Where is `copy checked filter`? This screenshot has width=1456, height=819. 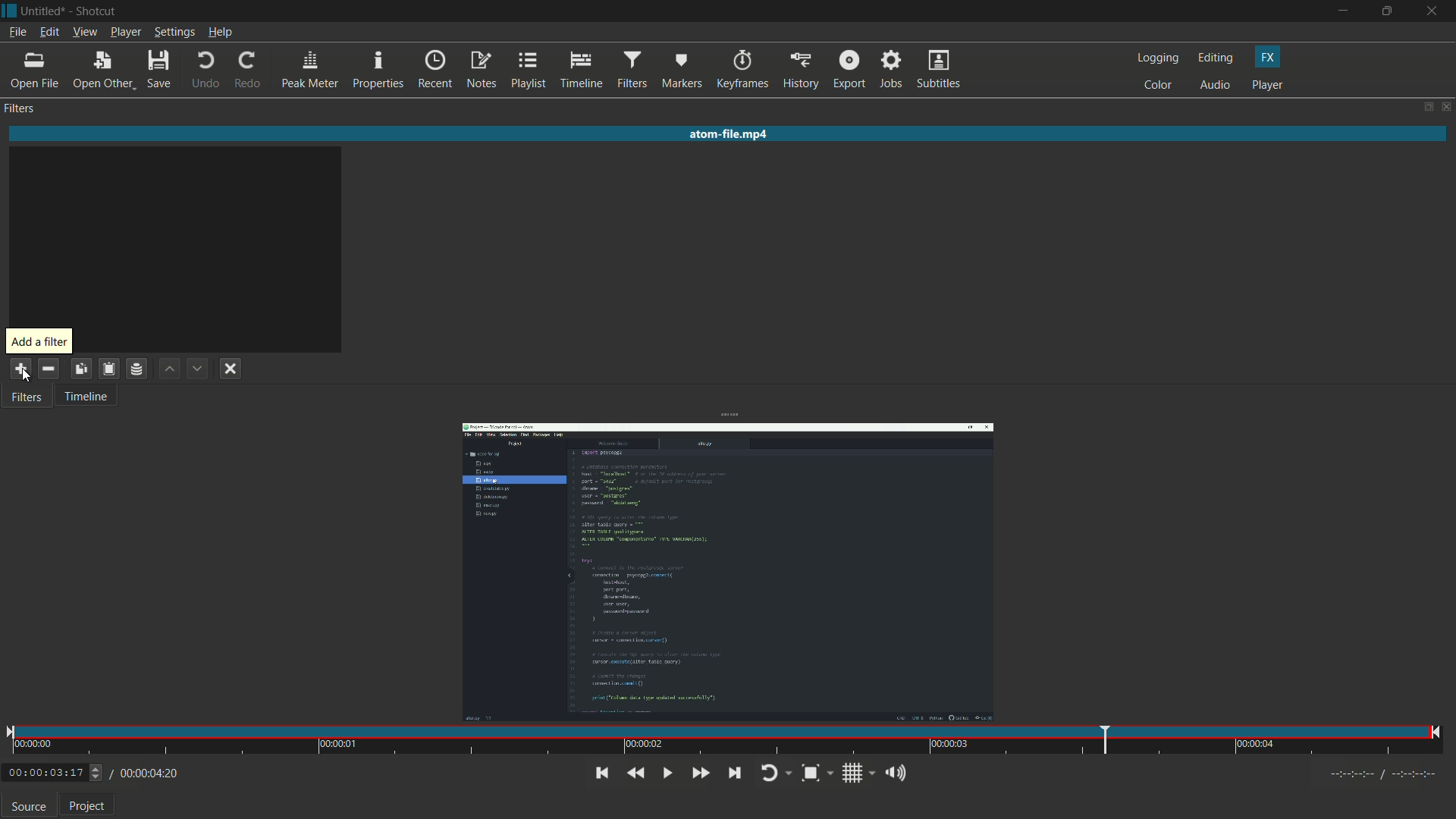
copy checked filter is located at coordinates (80, 369).